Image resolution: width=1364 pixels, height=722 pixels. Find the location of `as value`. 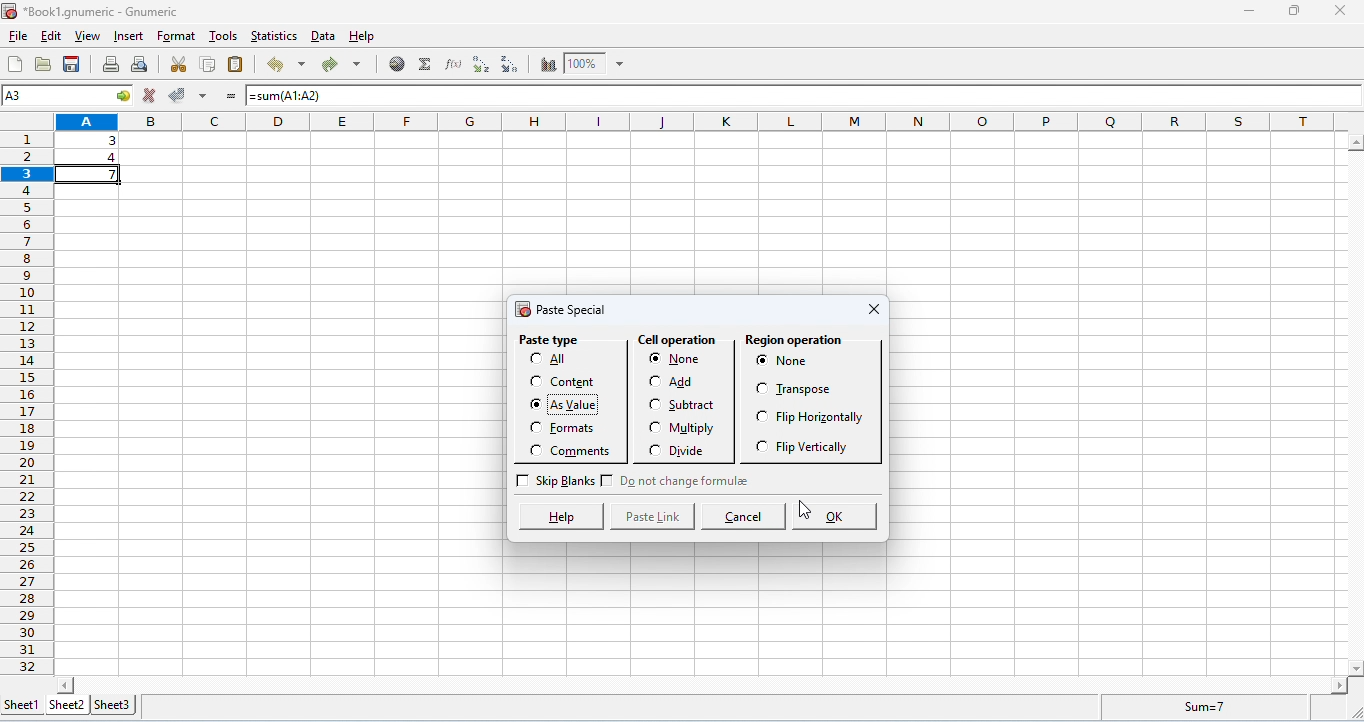

as value is located at coordinates (577, 404).